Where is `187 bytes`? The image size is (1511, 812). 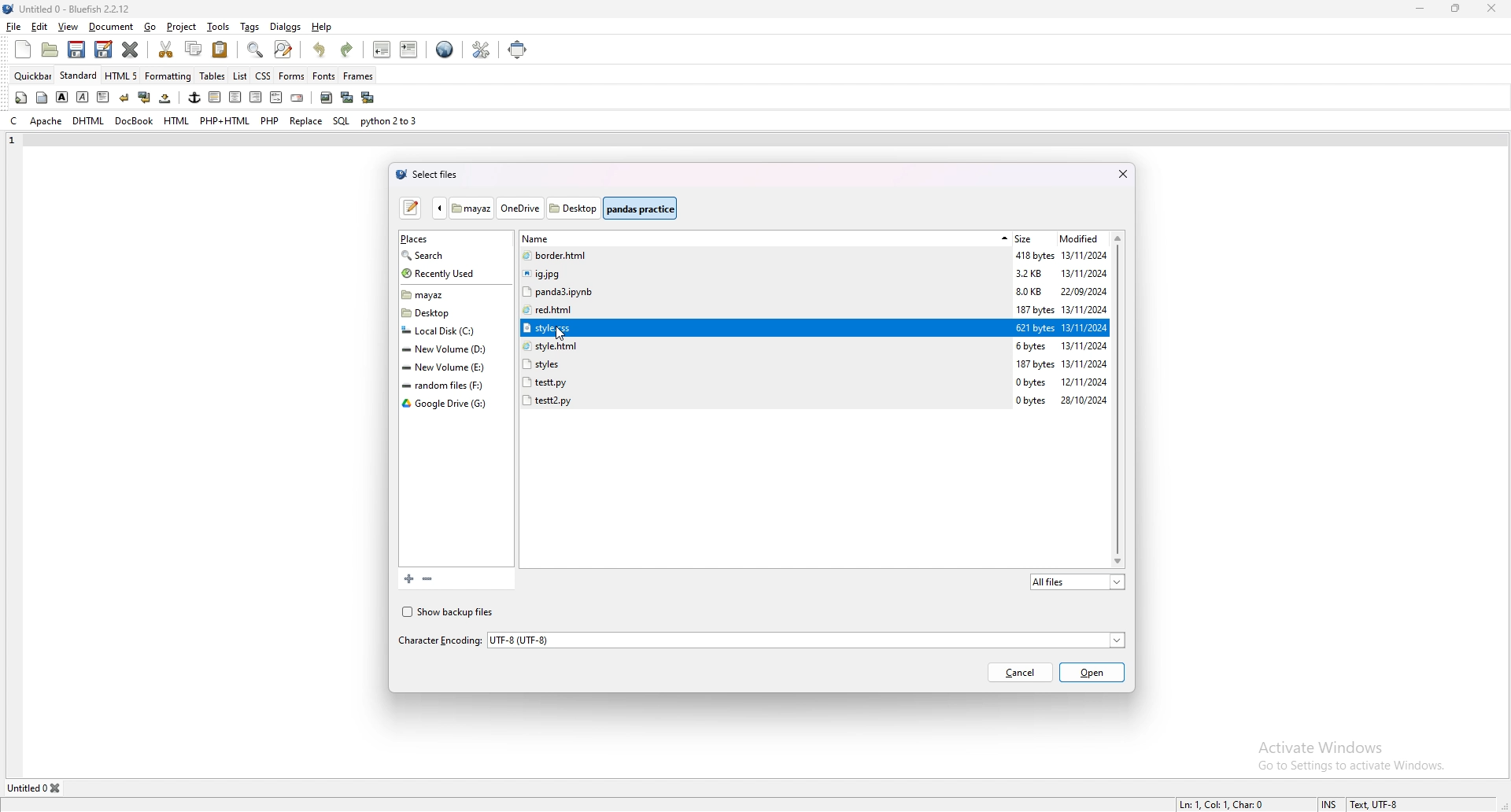 187 bytes is located at coordinates (1036, 310).